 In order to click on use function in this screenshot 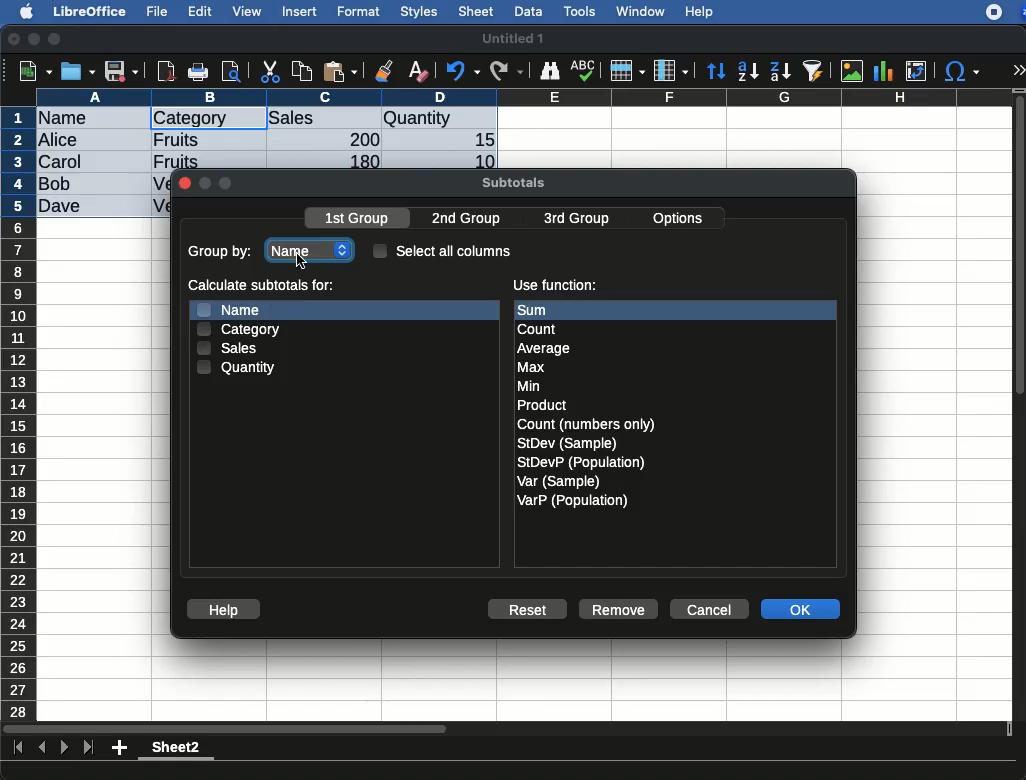, I will do `click(554, 286)`.